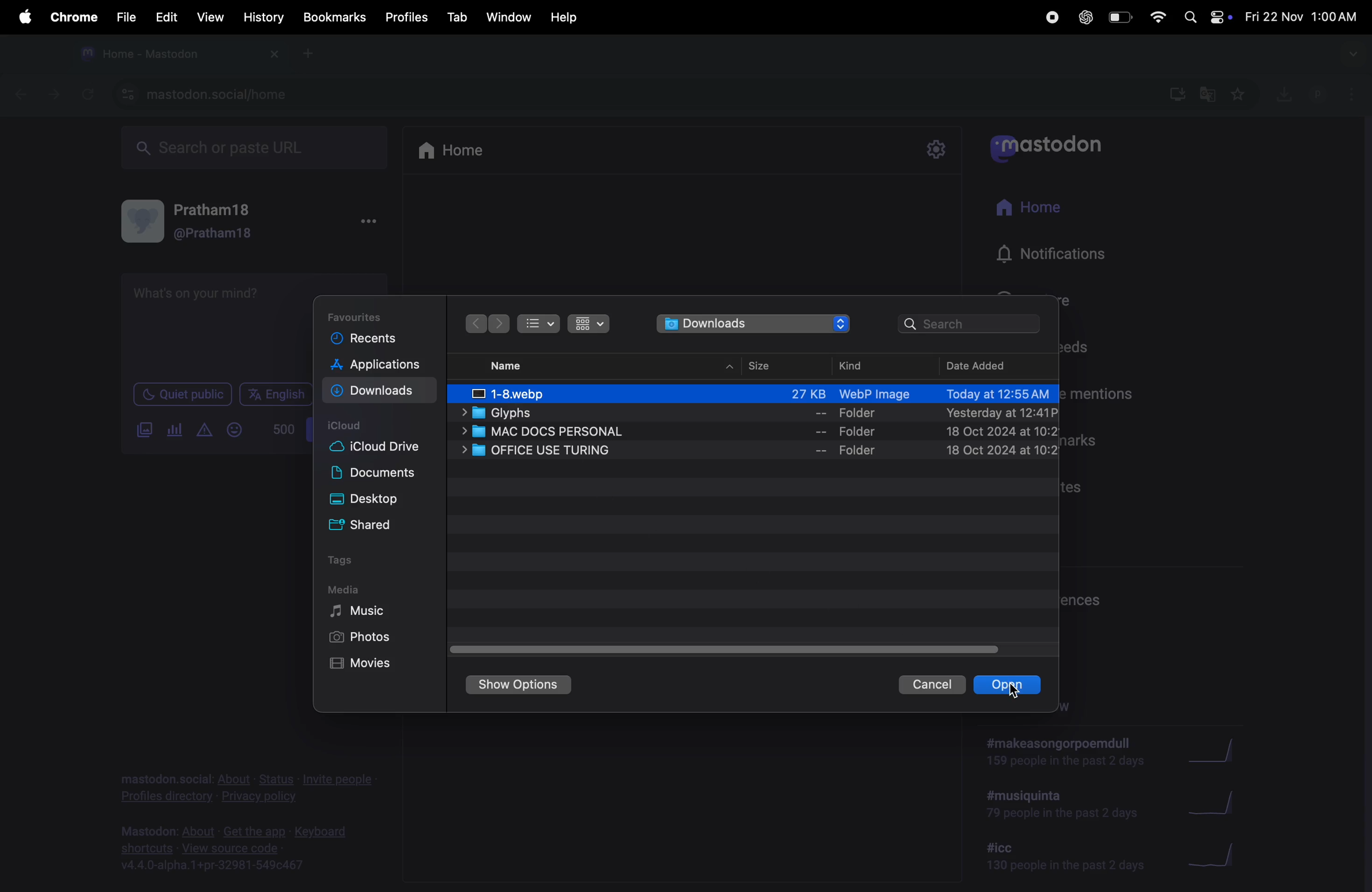 Image resolution: width=1372 pixels, height=892 pixels. What do you see at coordinates (1218, 14) in the screenshot?
I see `apple widgets` at bounding box center [1218, 14].